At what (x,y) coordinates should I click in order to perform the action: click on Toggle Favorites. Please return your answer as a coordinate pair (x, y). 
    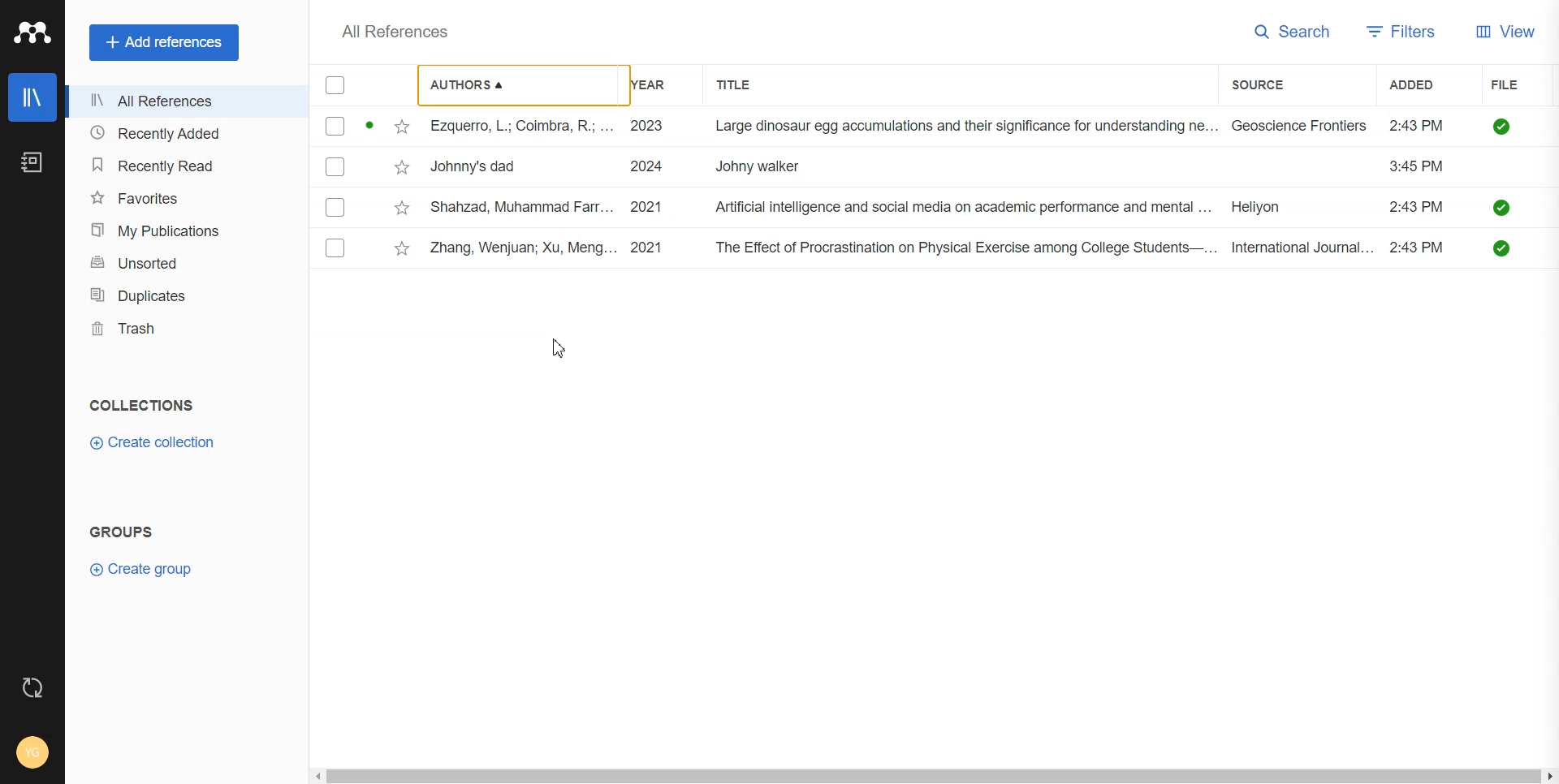
    Looking at the image, I should click on (403, 167).